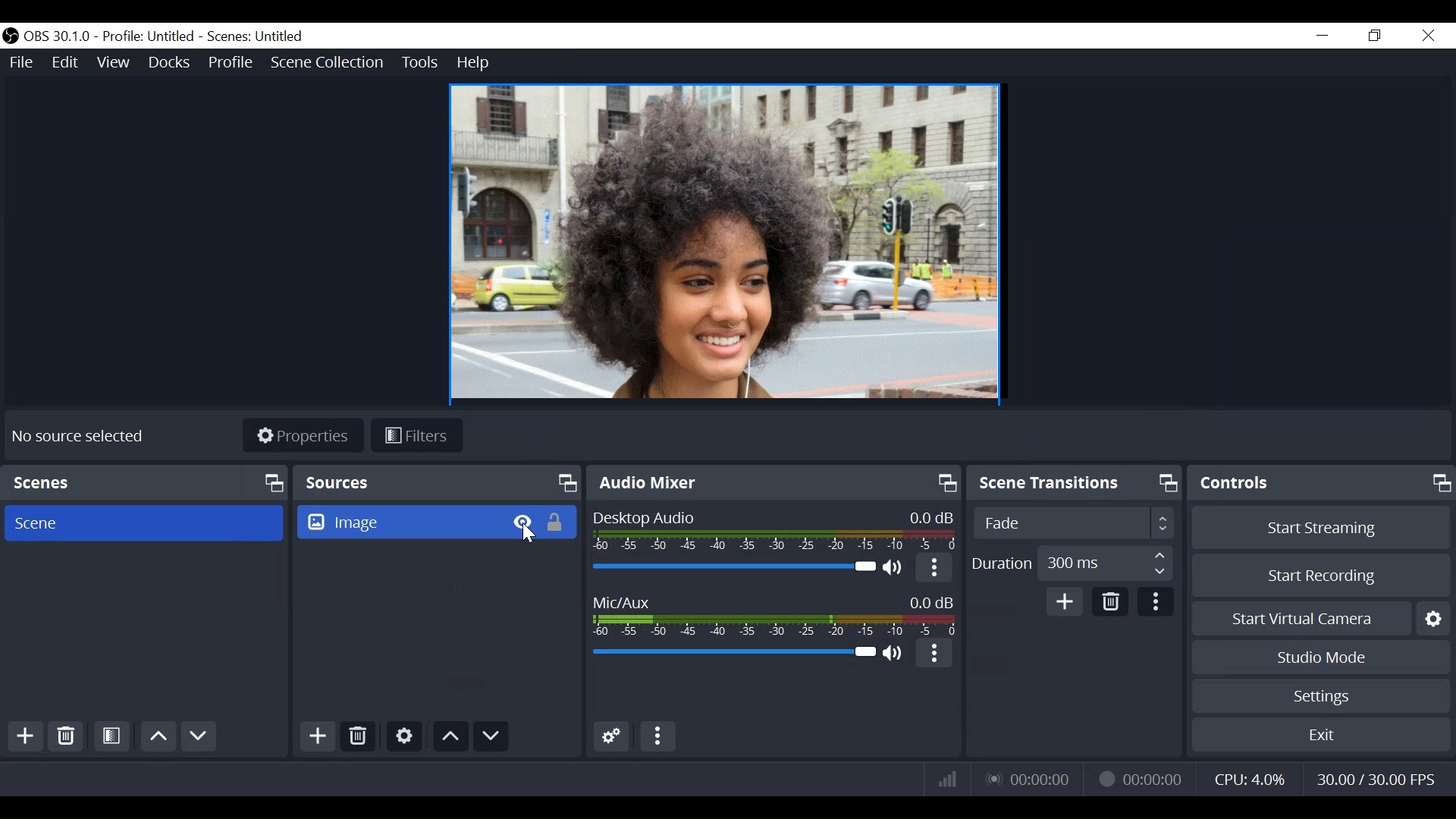 This screenshot has width=1456, height=819. I want to click on Add, so click(1068, 601).